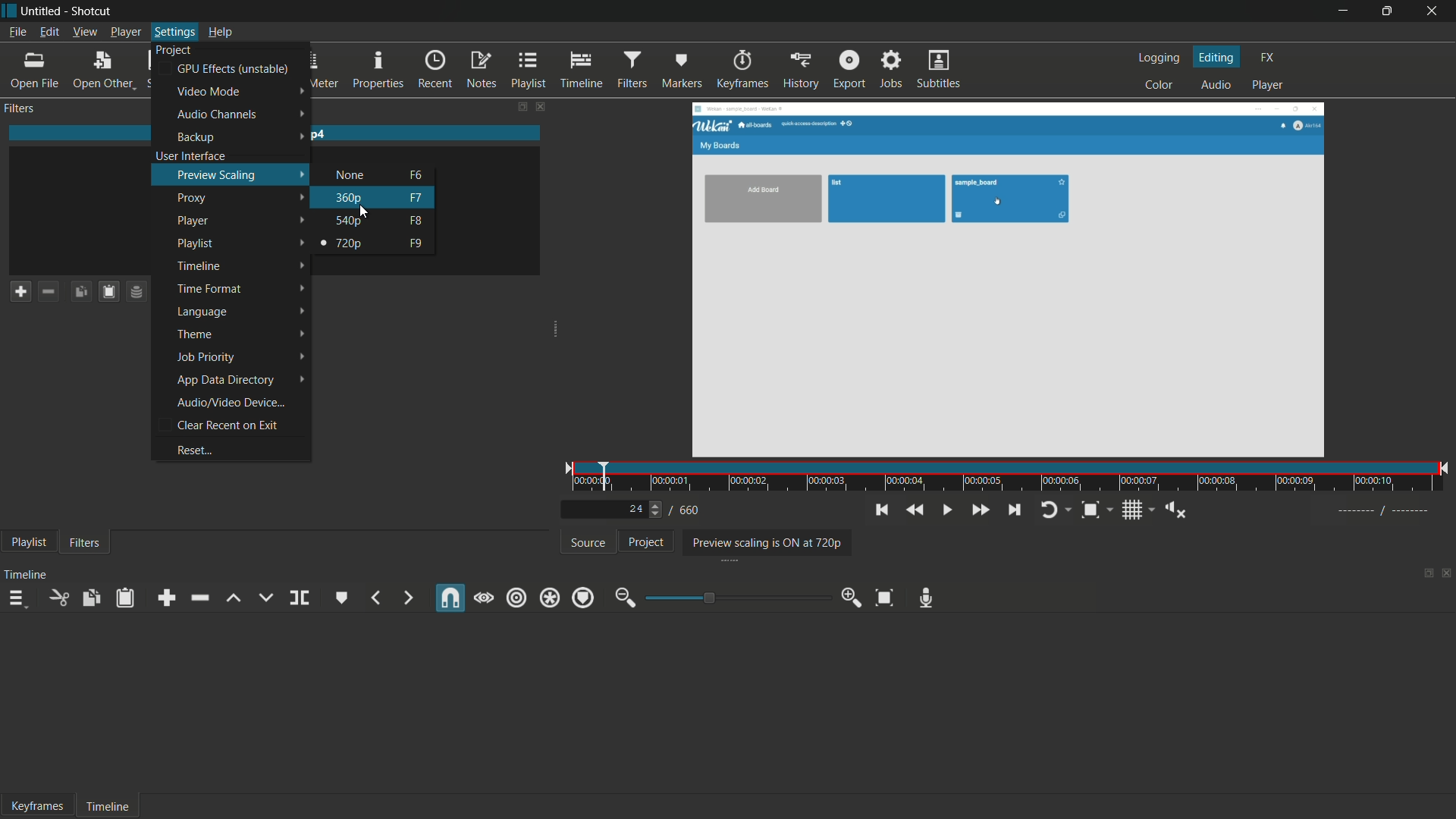  Describe the element at coordinates (743, 69) in the screenshot. I see `keyframes` at that location.